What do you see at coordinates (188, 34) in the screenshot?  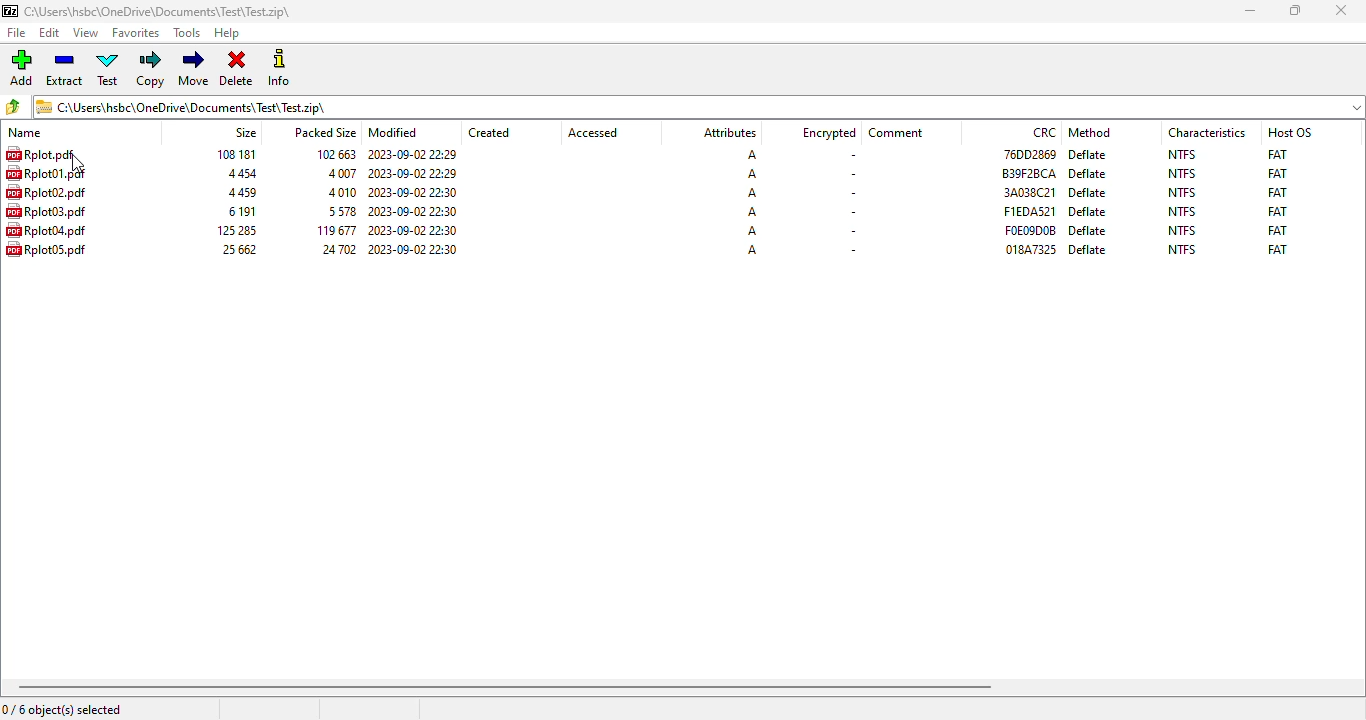 I see `tools` at bounding box center [188, 34].